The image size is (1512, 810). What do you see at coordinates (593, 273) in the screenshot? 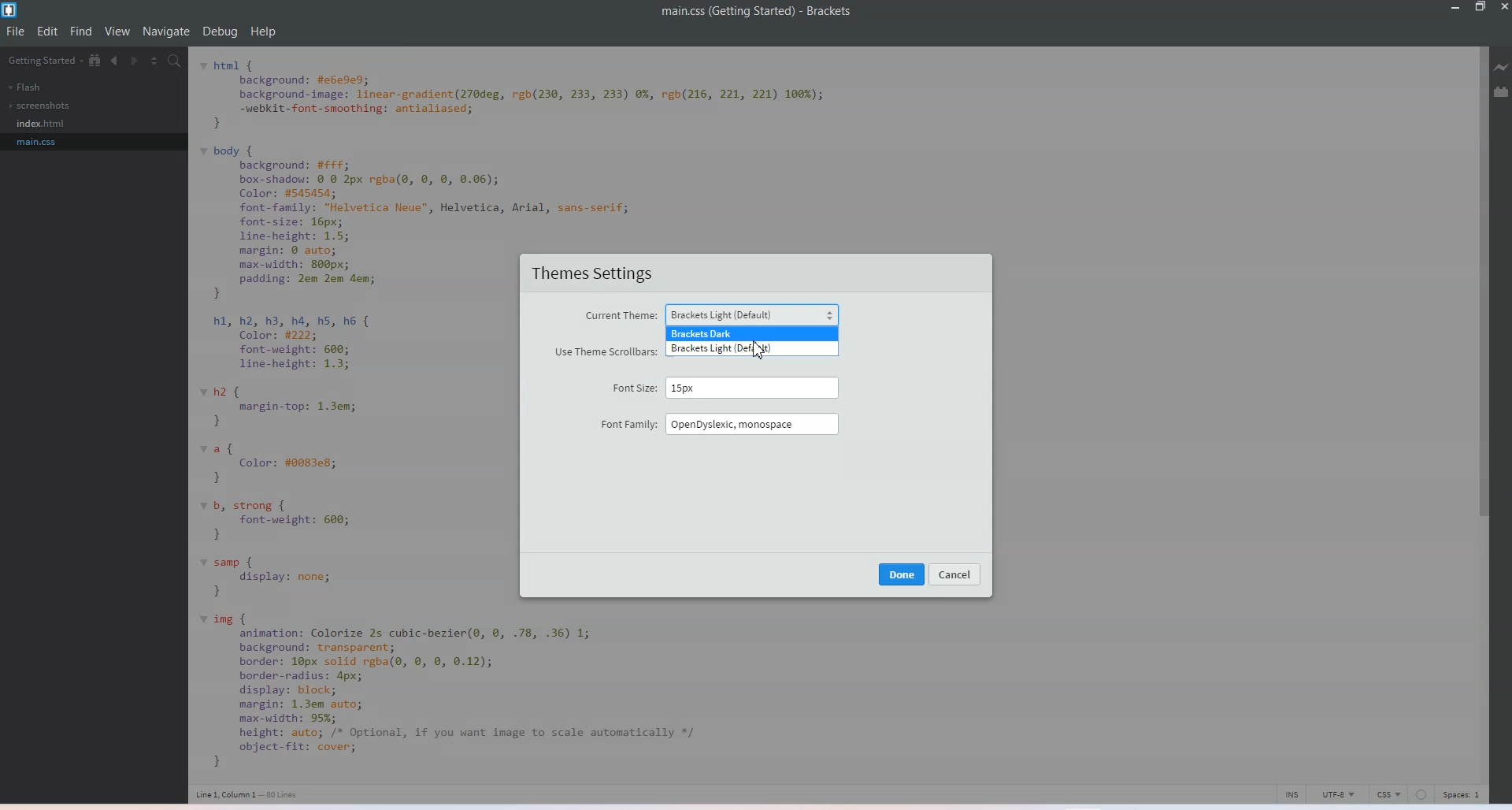
I see `Theme settings` at bounding box center [593, 273].